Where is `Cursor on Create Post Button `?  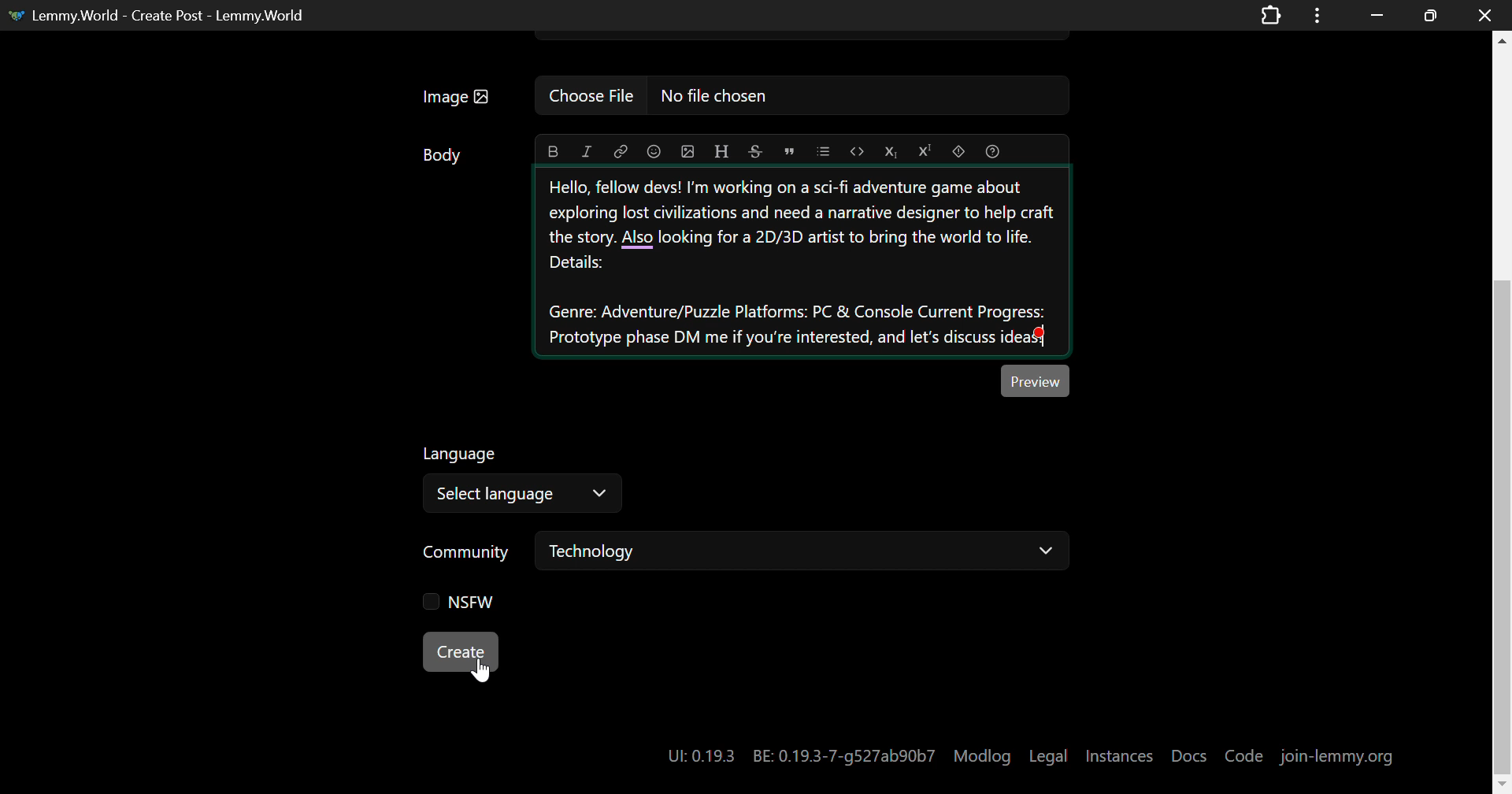
Cursor on Create Post Button  is located at coordinates (480, 669).